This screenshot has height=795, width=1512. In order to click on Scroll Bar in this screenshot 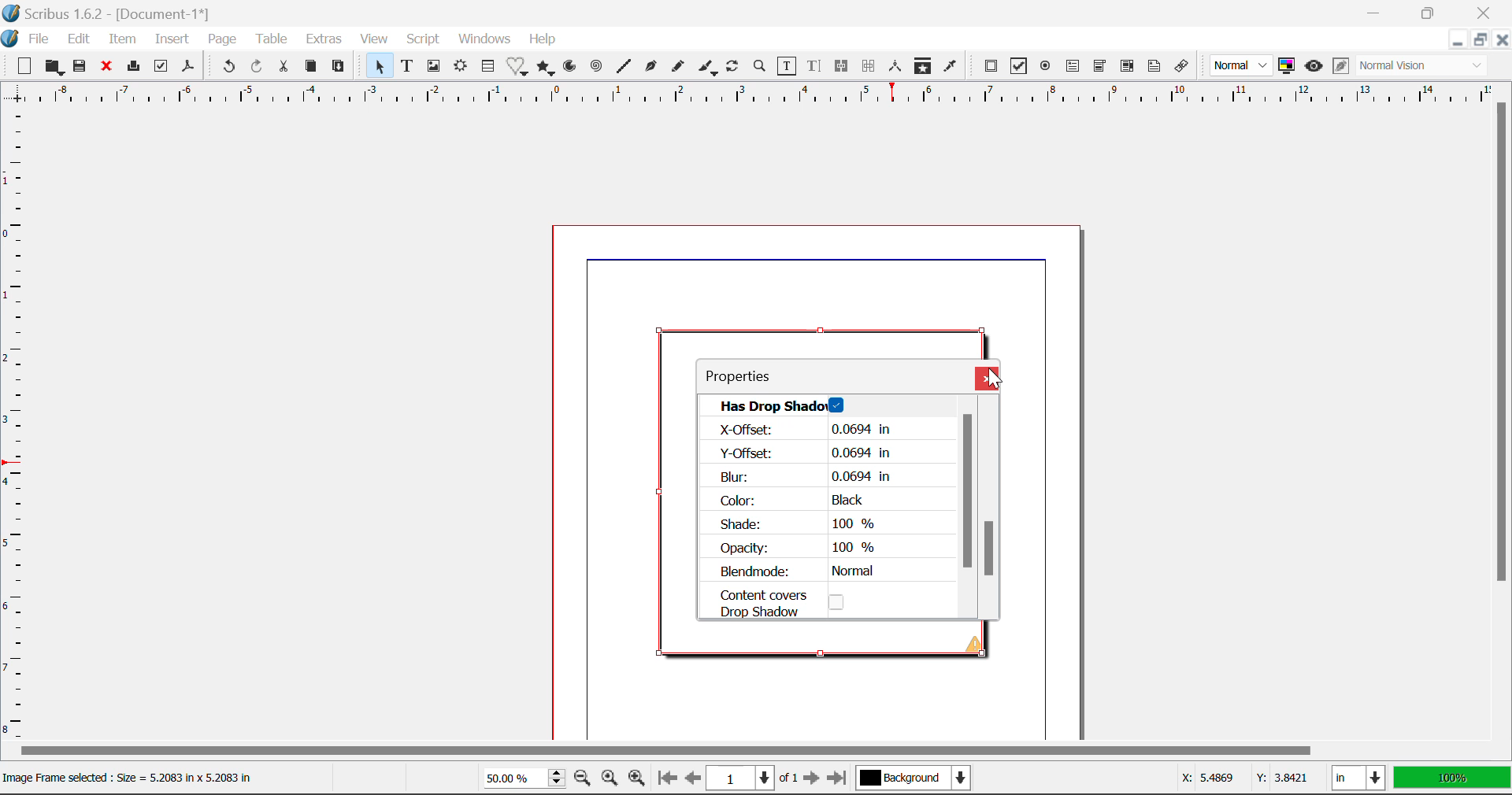, I will do `click(992, 514)`.